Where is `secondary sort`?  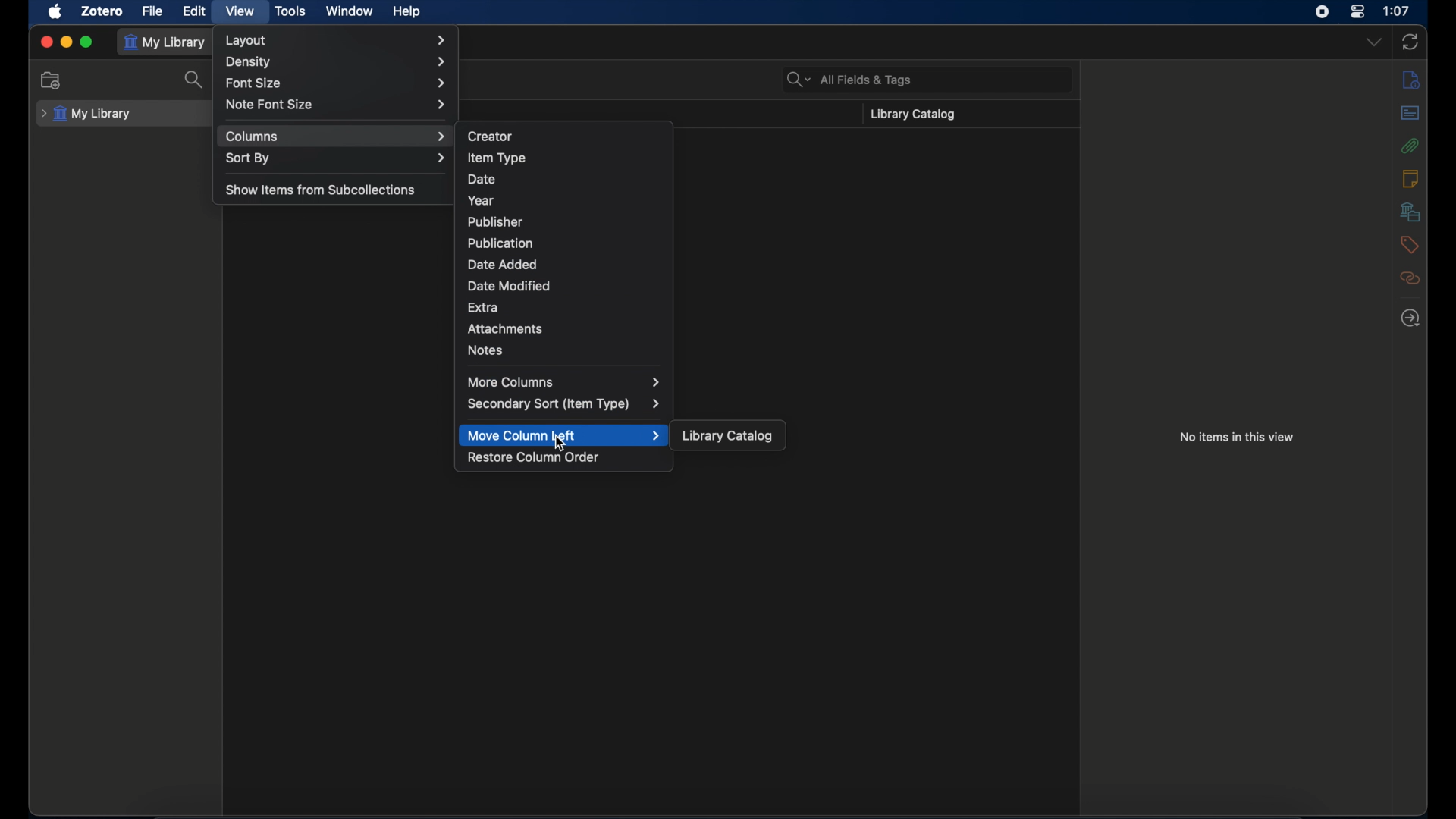
secondary sort is located at coordinates (564, 404).